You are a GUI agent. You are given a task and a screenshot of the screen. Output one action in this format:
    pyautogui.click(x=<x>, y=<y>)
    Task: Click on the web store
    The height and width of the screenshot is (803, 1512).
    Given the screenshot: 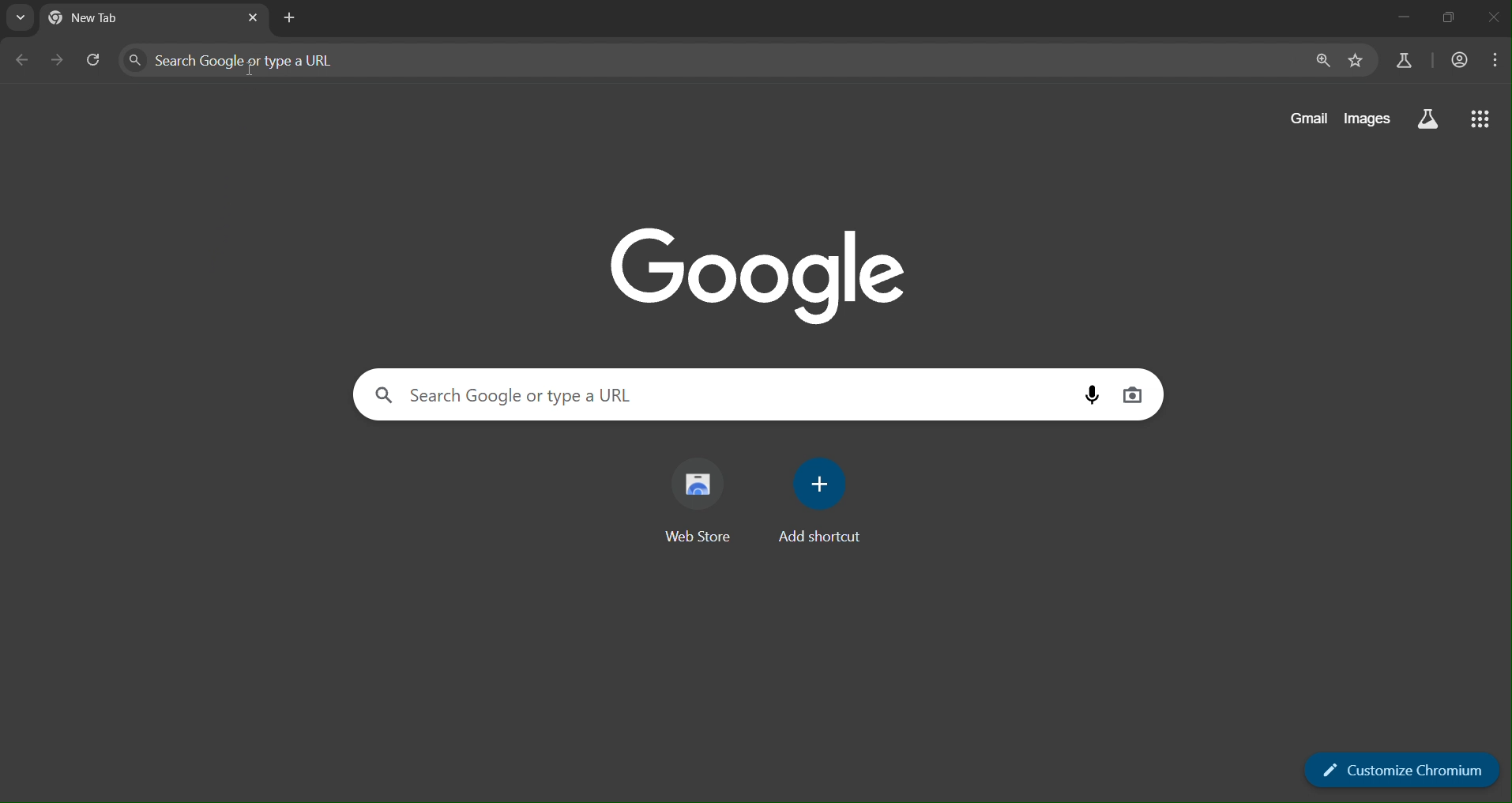 What is the action you would take?
    pyautogui.click(x=698, y=499)
    